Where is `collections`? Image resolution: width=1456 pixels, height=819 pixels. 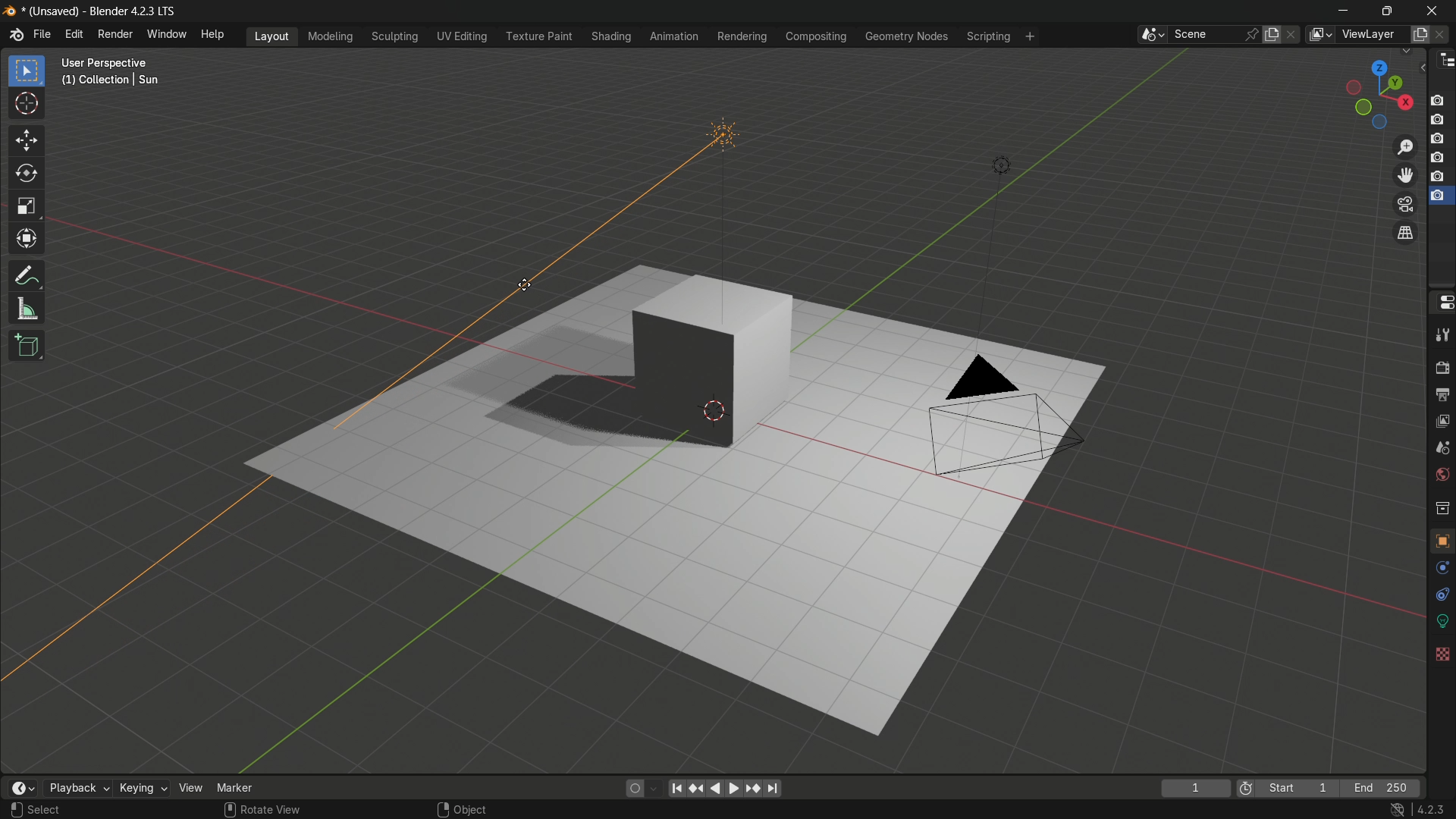
collections is located at coordinates (1442, 507).